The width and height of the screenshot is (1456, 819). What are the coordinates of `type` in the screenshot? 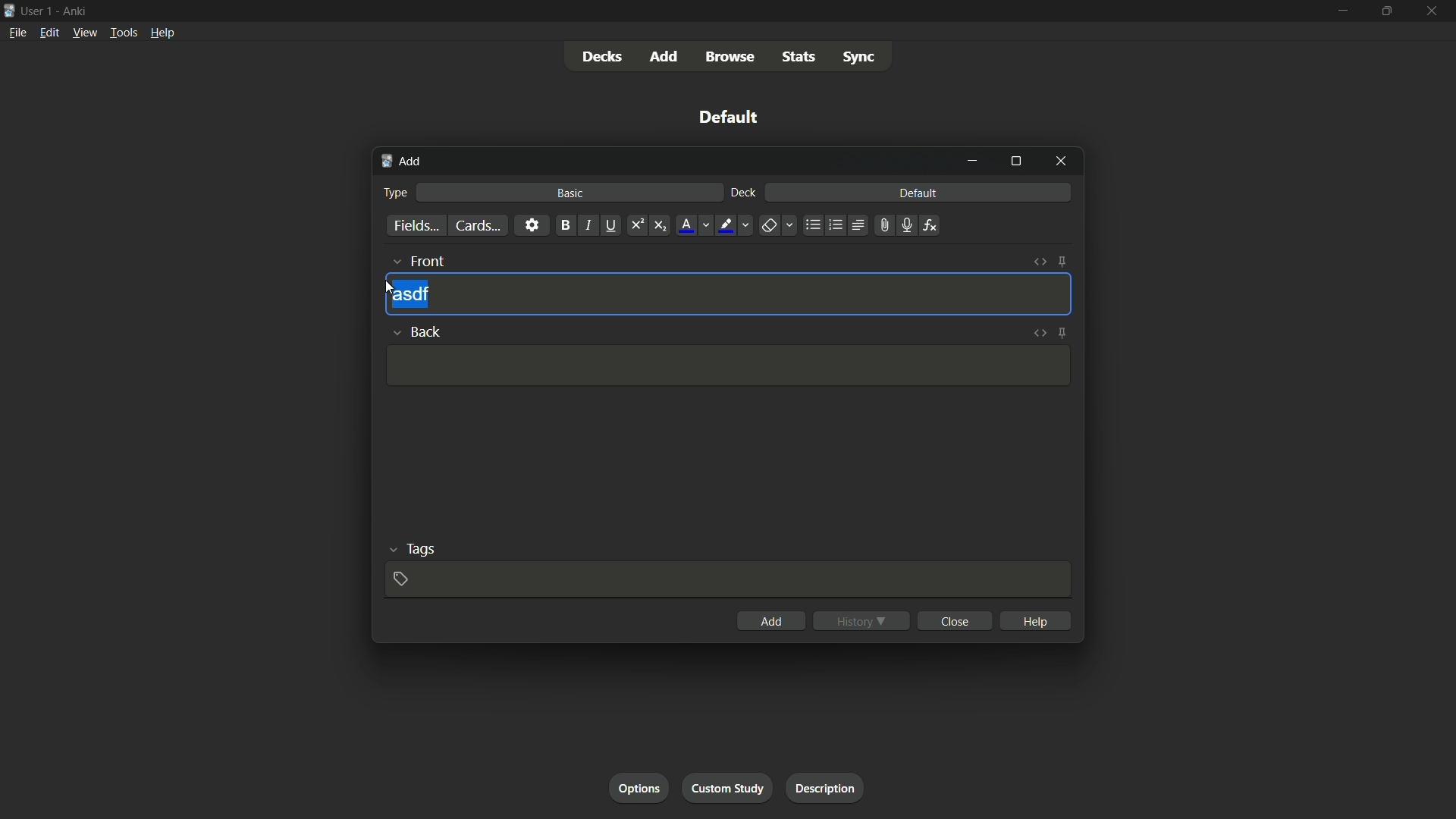 It's located at (397, 191).